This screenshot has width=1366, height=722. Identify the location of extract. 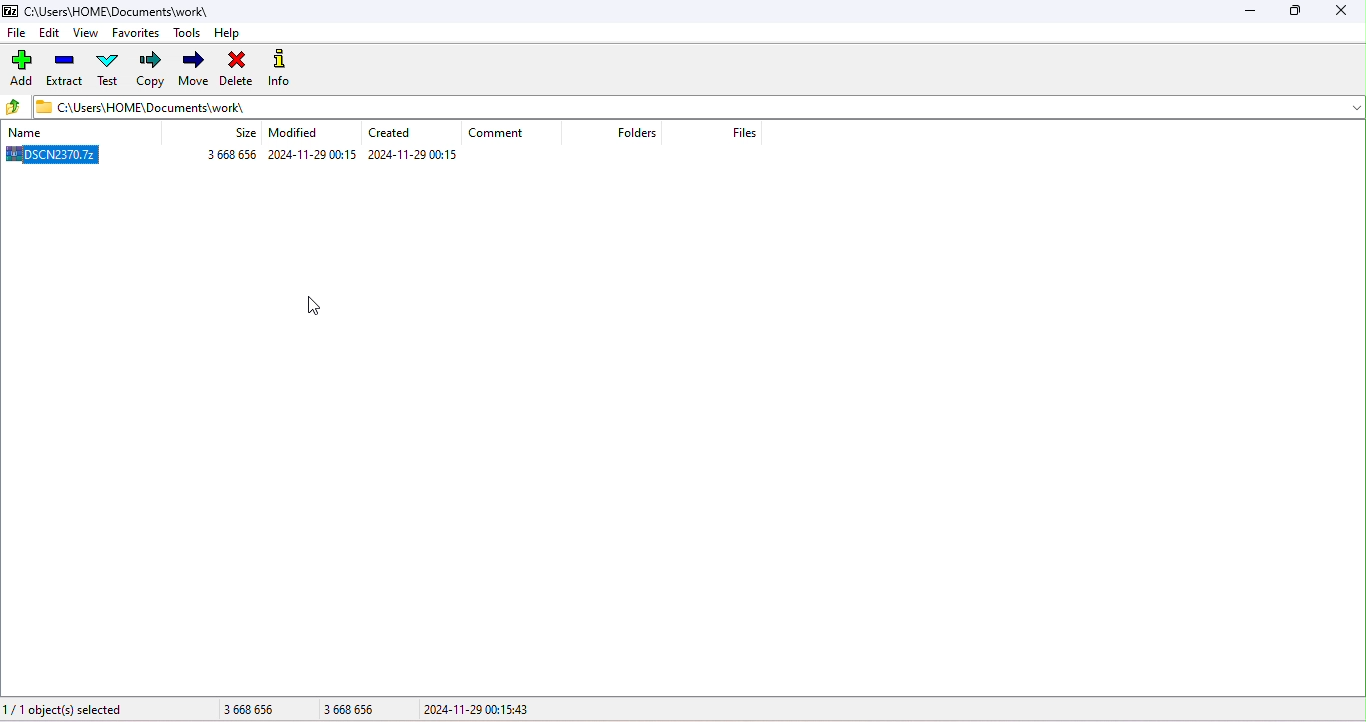
(65, 72).